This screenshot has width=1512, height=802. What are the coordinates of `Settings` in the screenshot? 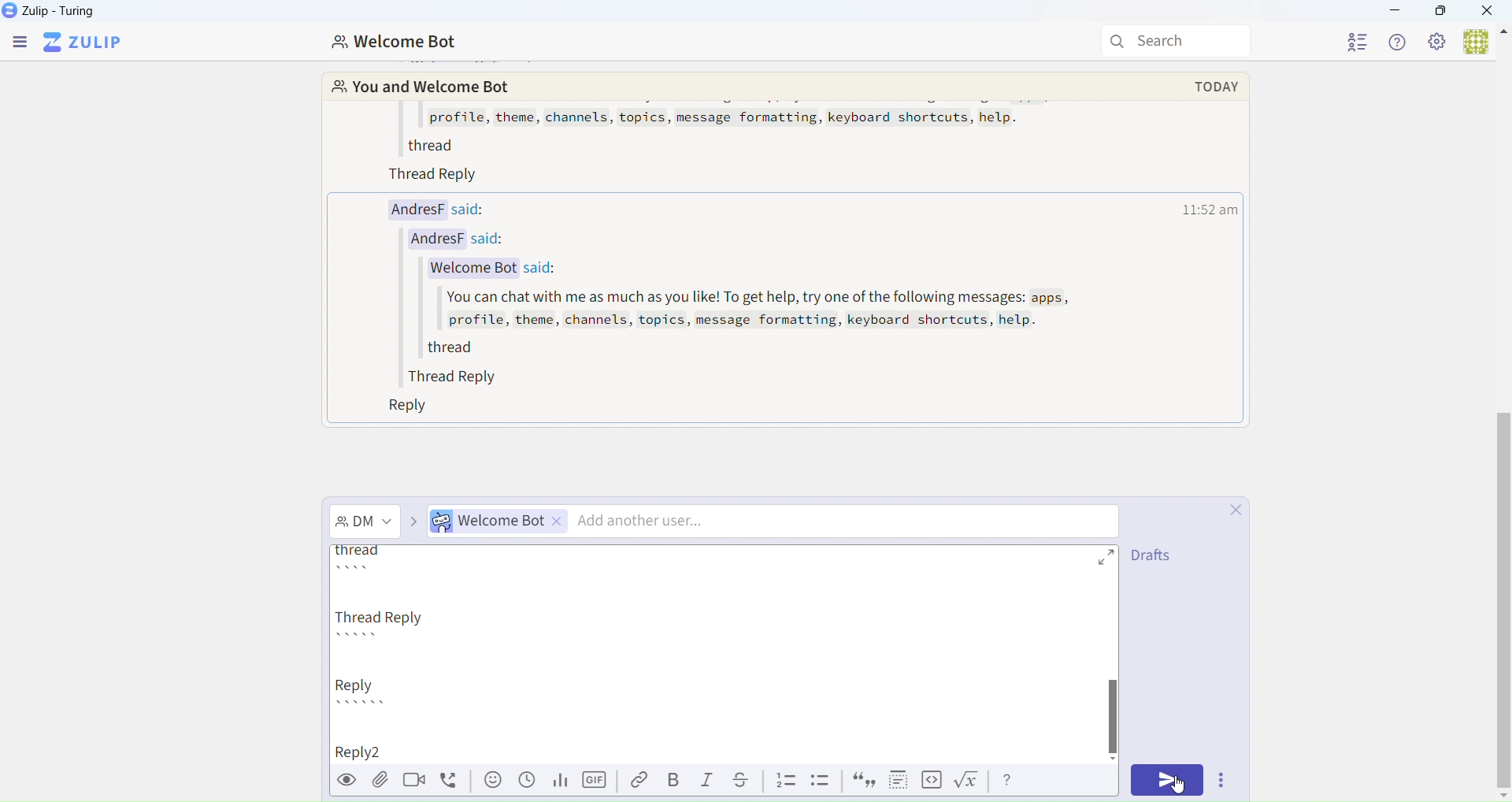 It's located at (1436, 41).